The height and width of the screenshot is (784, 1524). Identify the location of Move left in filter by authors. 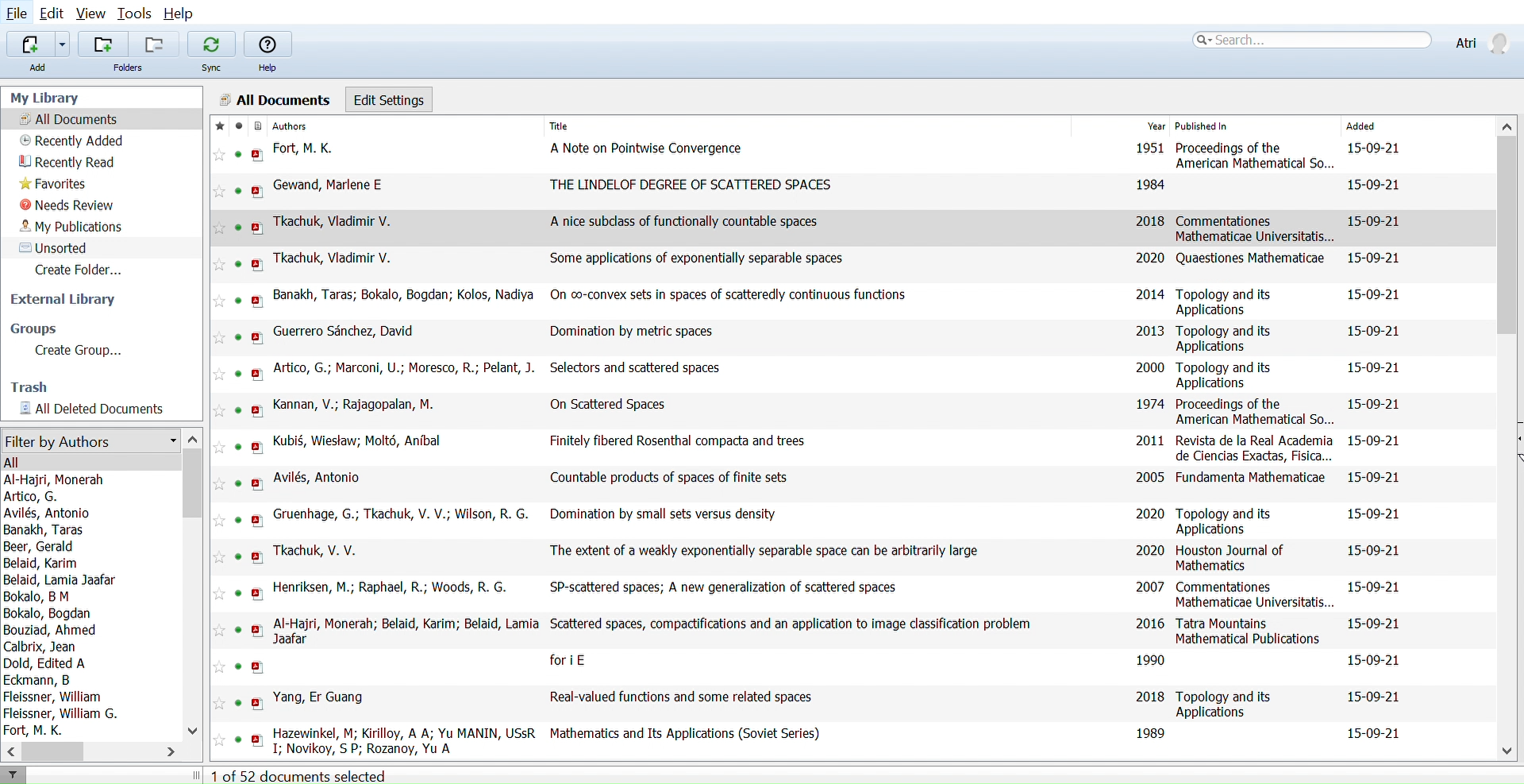
(10, 751).